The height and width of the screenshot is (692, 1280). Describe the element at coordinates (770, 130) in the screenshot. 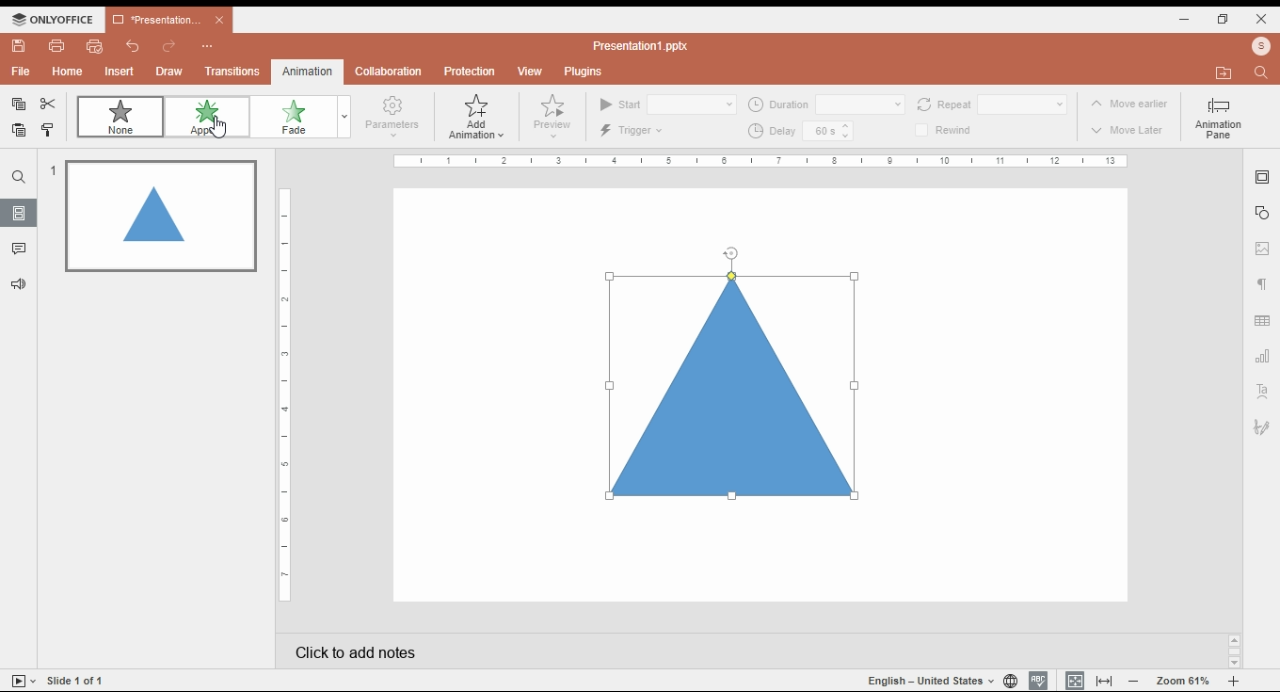

I see `delay` at that location.